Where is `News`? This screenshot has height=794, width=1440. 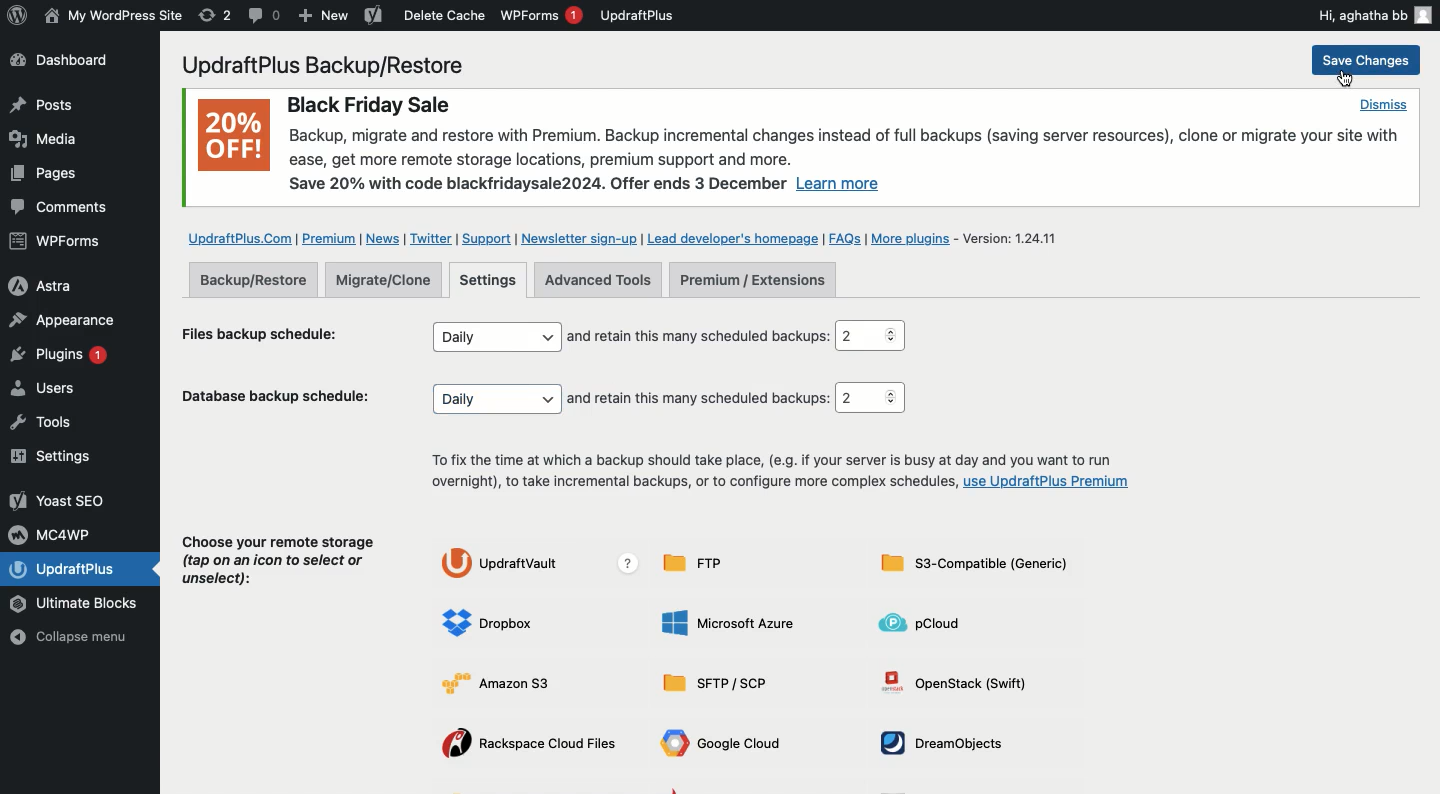 News is located at coordinates (385, 239).